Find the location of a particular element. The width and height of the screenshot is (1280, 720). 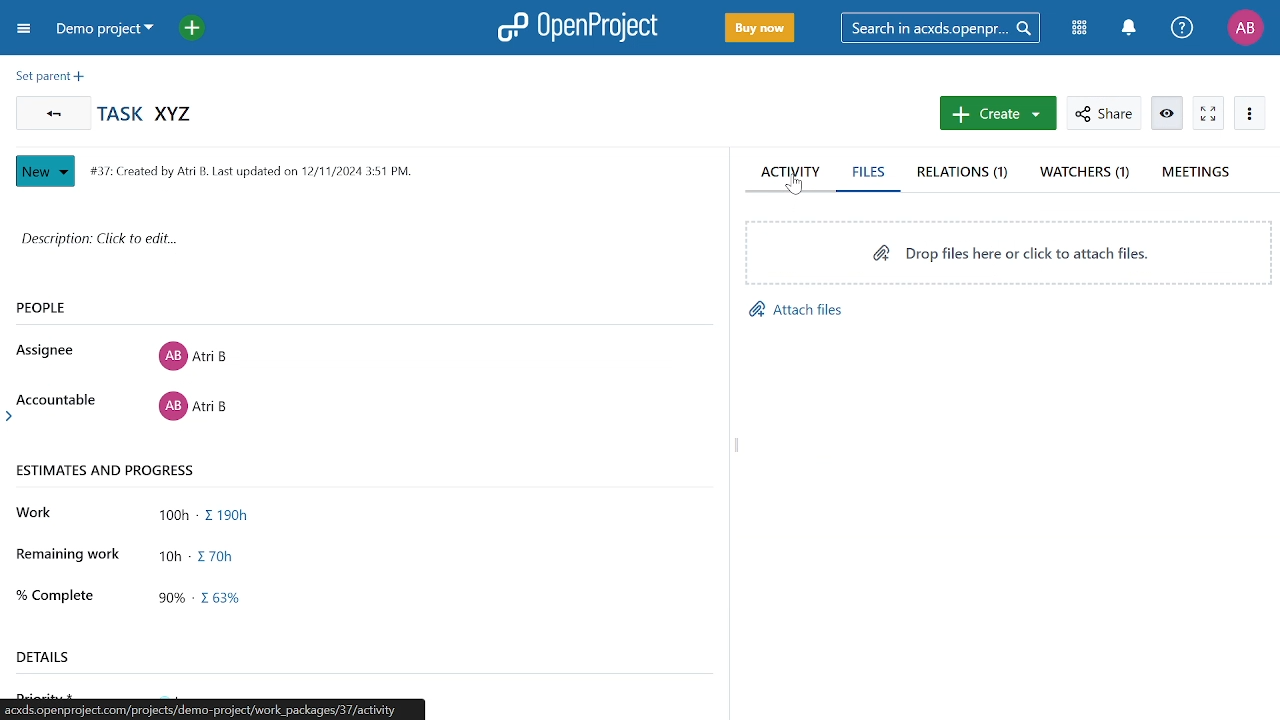

Total work is located at coordinates (419, 517).